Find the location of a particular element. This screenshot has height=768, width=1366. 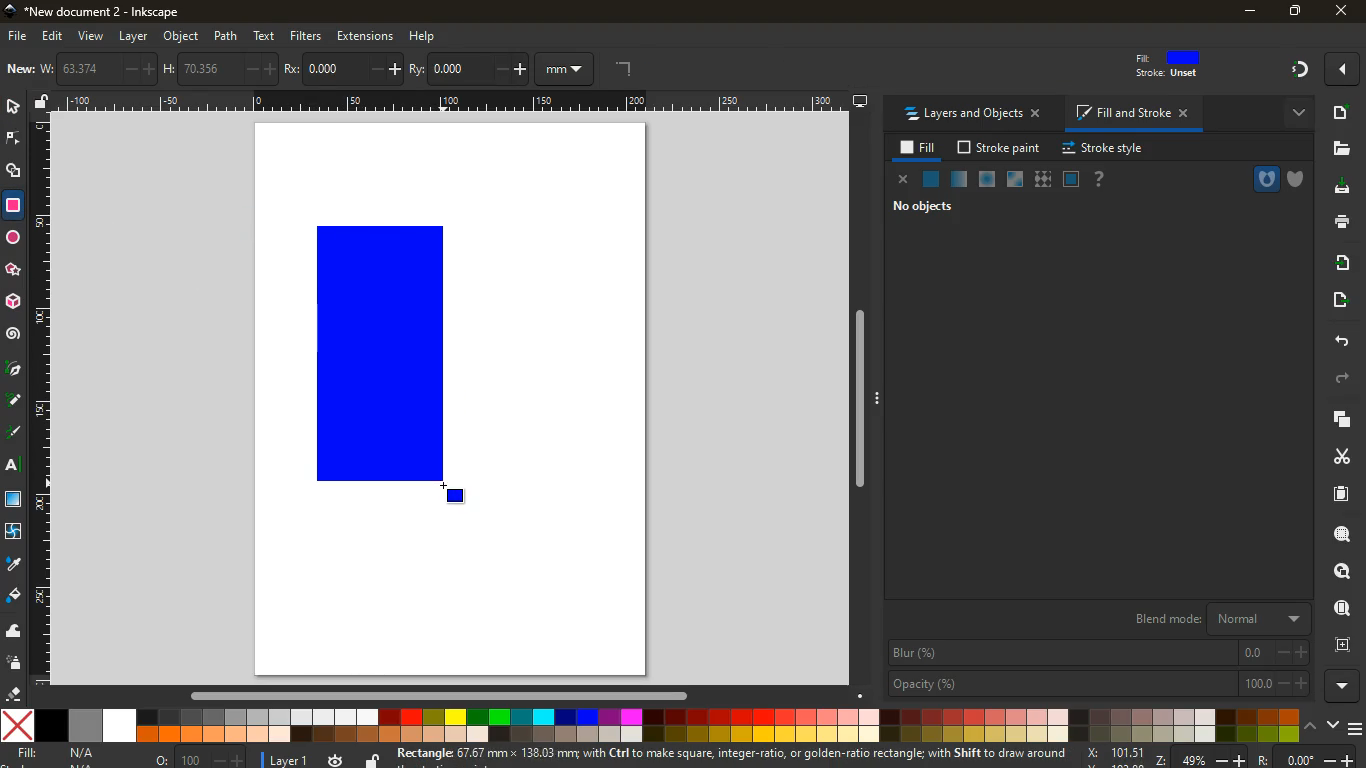

o is located at coordinates (201, 758).